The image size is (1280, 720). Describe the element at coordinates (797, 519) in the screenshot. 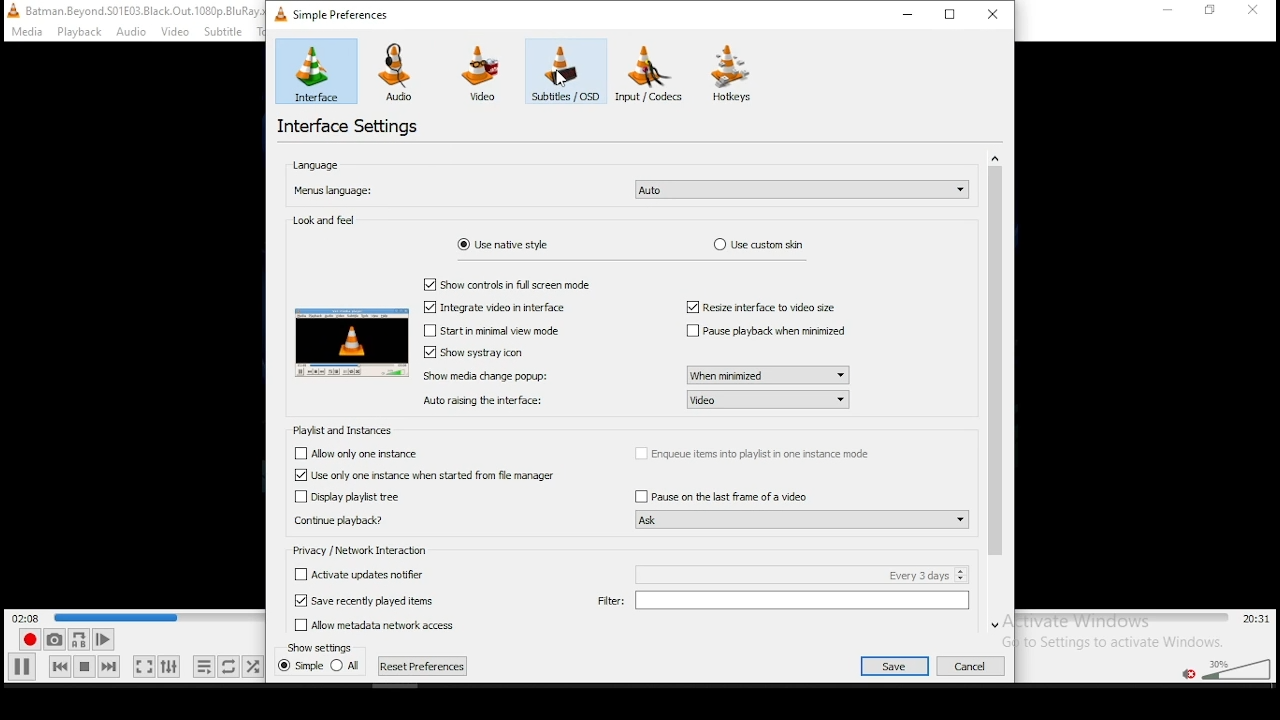

I see `` at that location.